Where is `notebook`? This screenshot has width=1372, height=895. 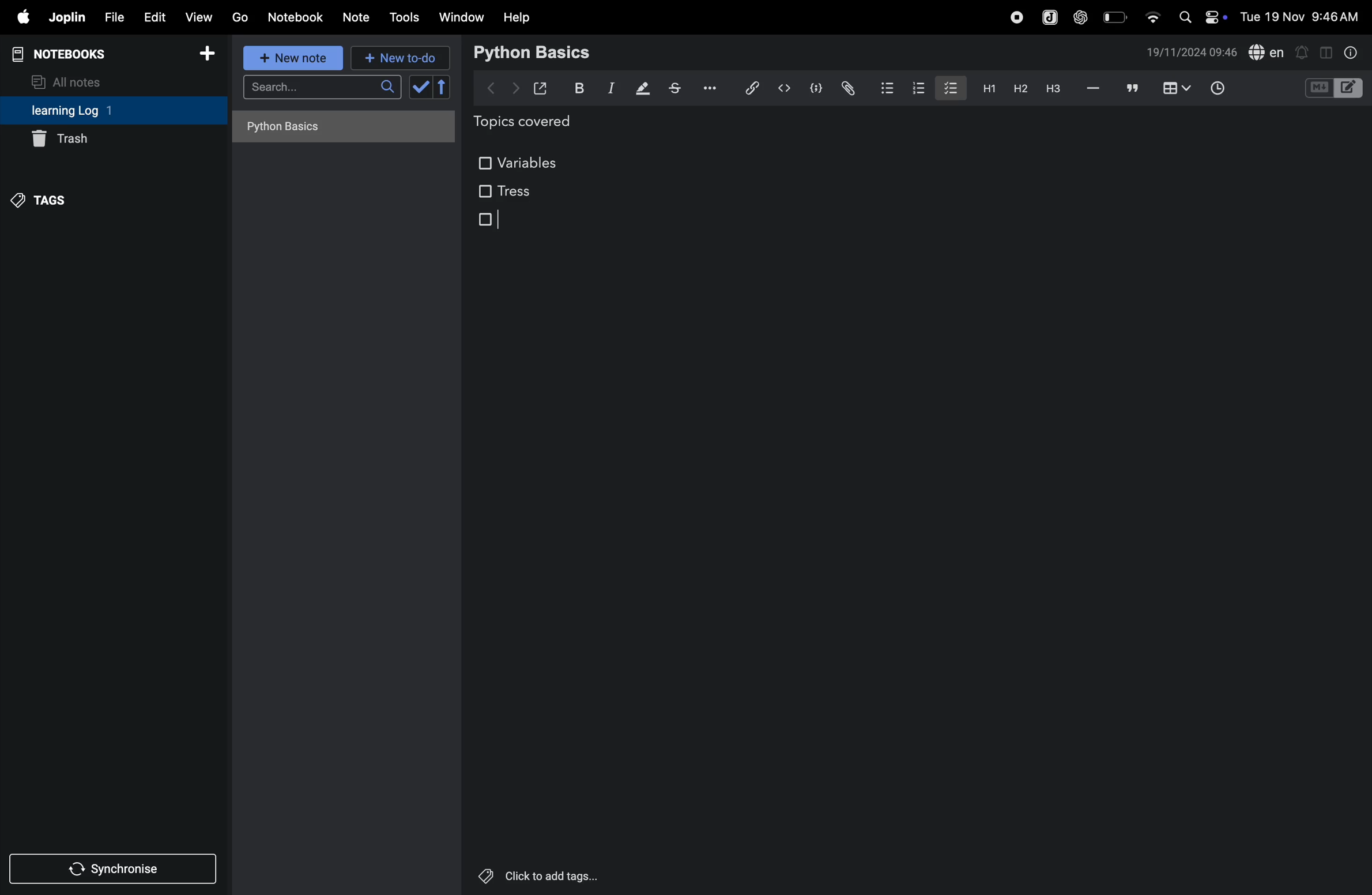 notebook is located at coordinates (297, 16).